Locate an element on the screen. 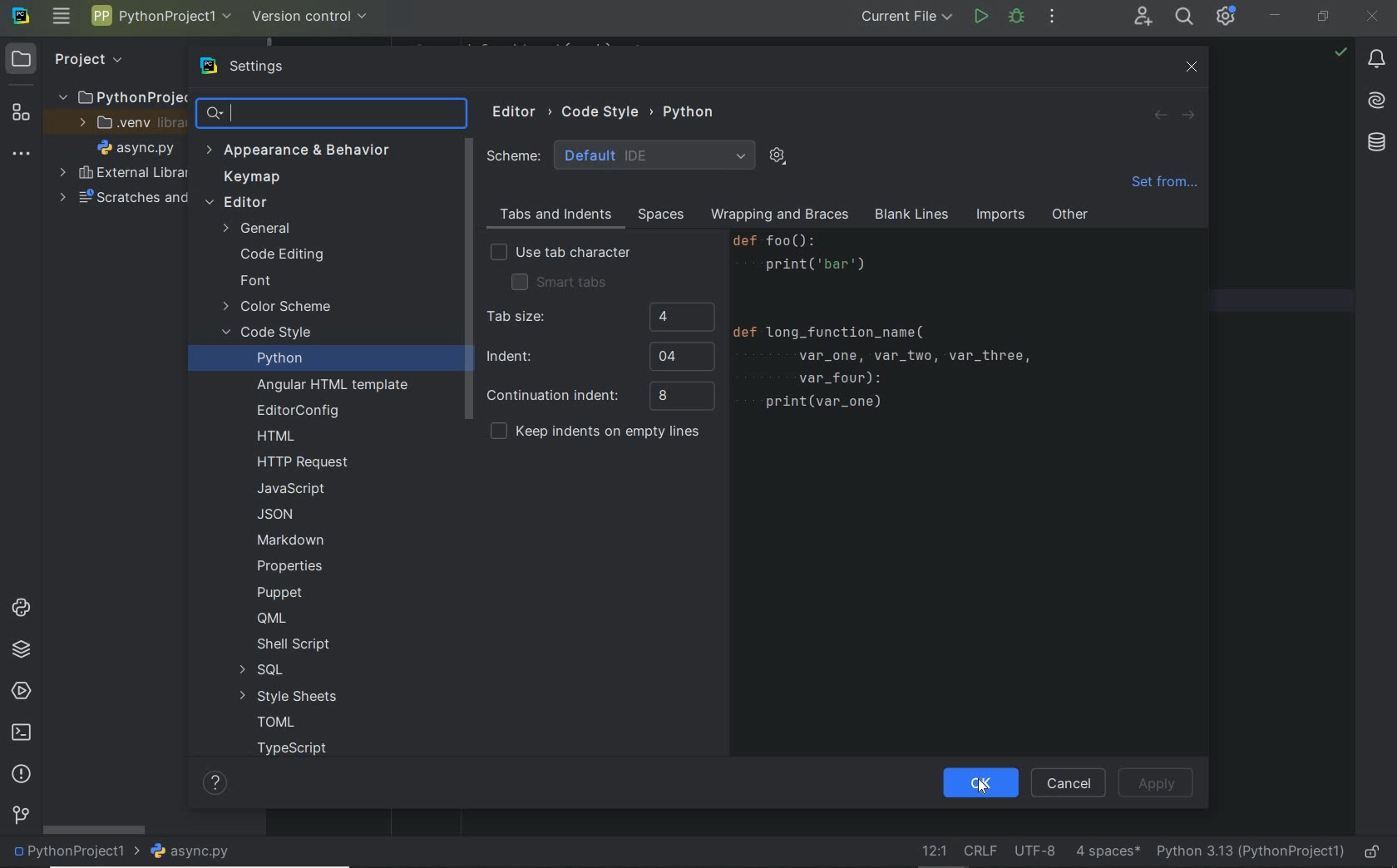 This screenshot has width=1397, height=868. close is located at coordinates (1375, 18).